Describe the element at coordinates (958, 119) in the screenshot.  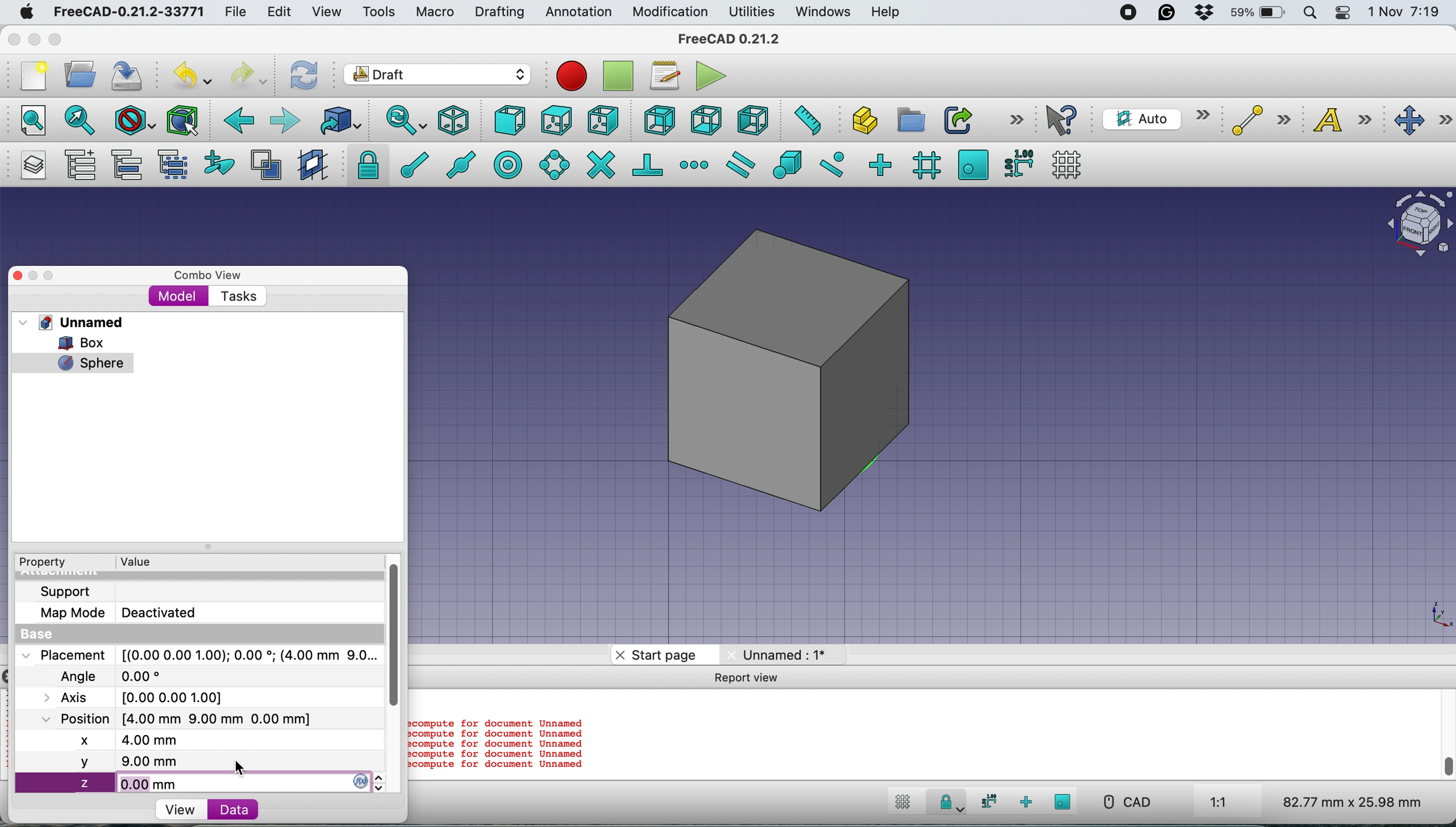
I see `make link` at that location.